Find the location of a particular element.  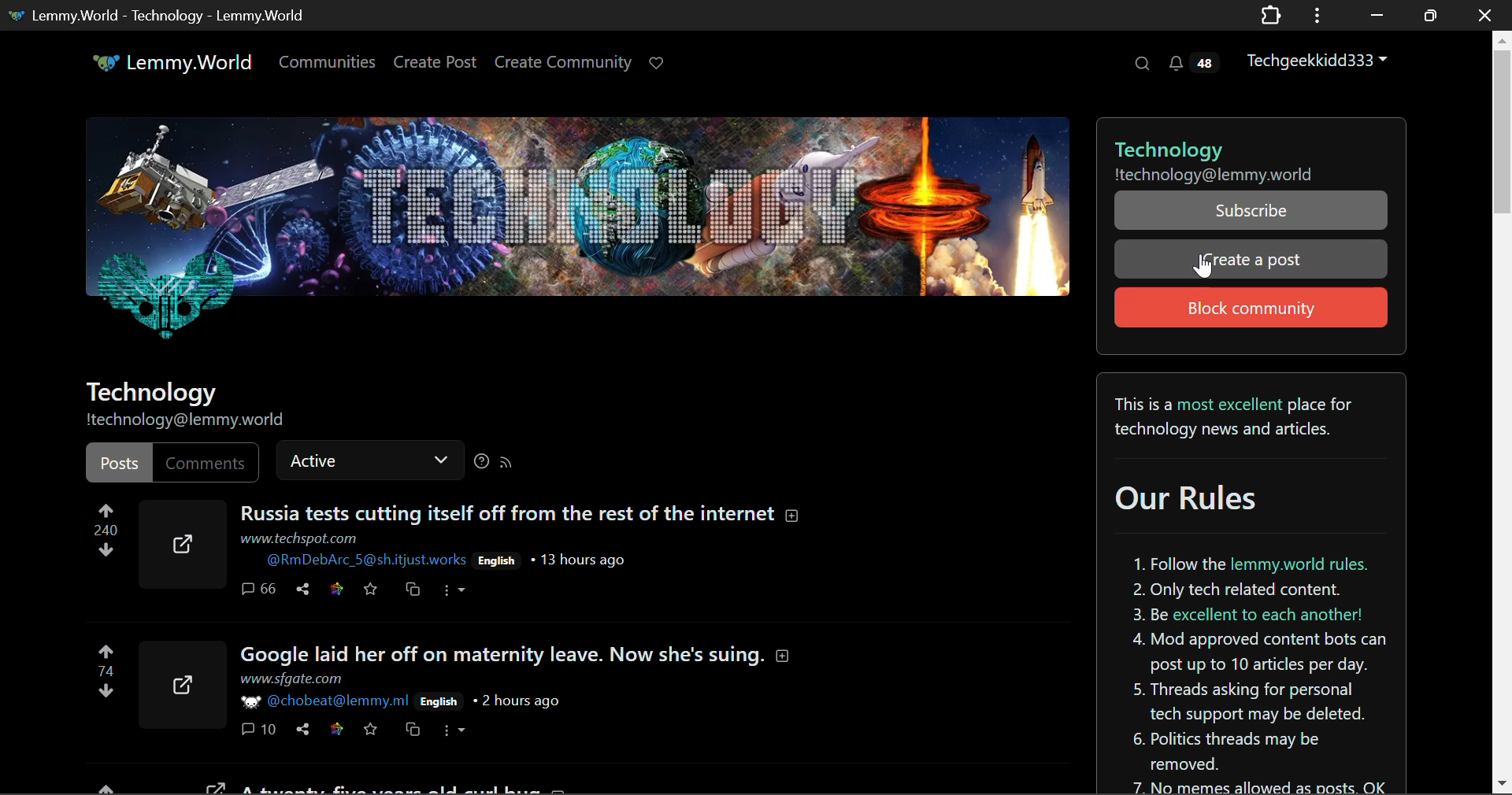

English is located at coordinates (439, 701).